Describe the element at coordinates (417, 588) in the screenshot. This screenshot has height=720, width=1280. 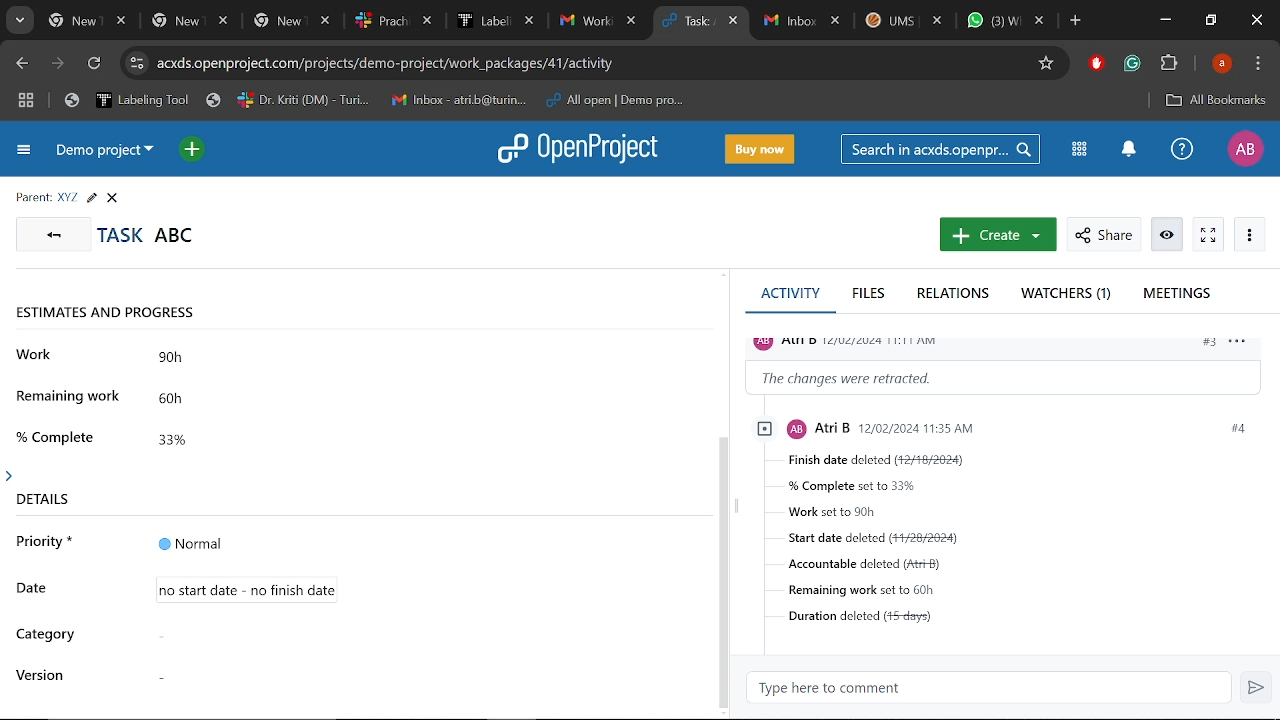
I see `Timeline details` at that location.